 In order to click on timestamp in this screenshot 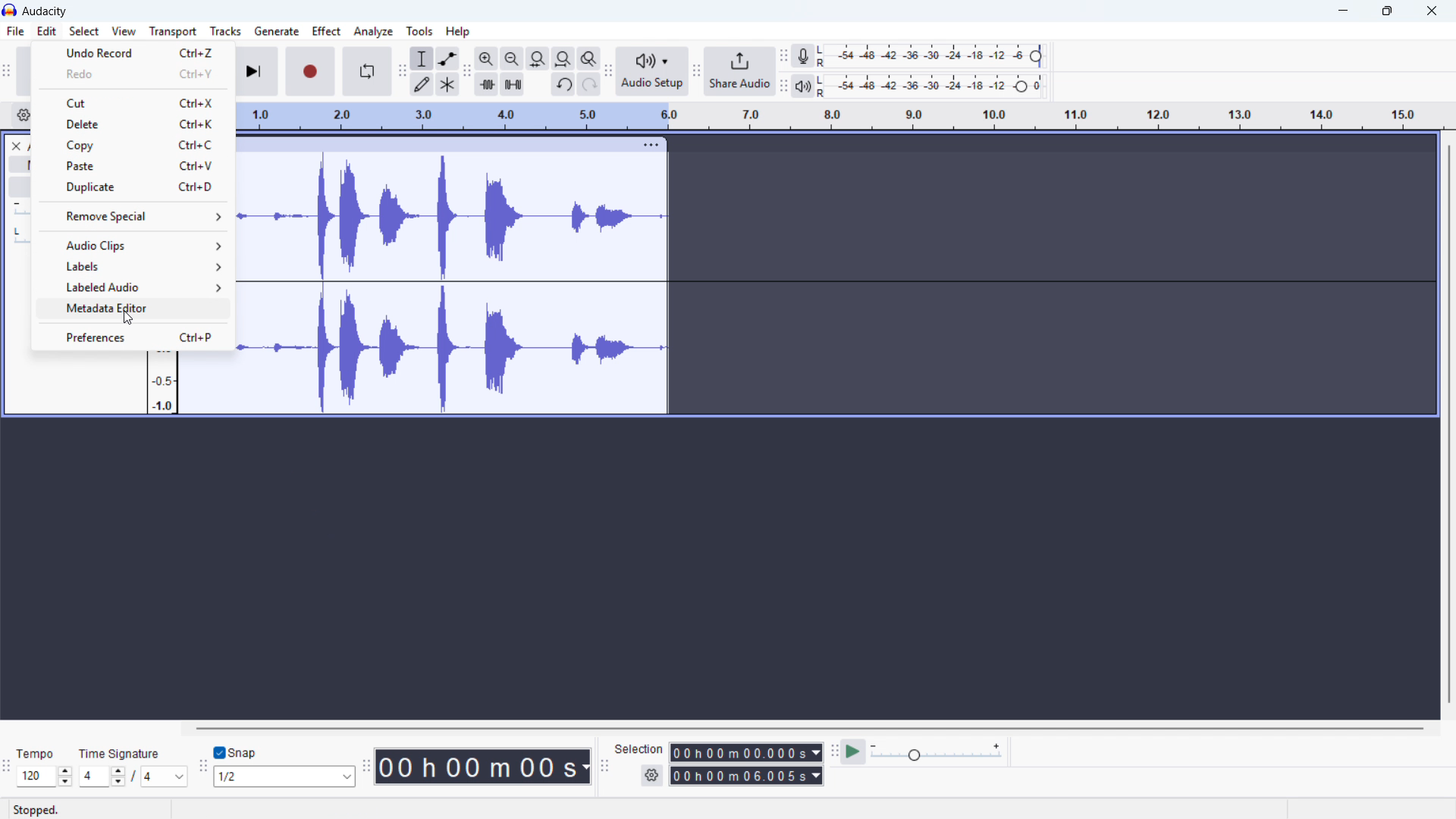, I will do `click(483, 766)`.